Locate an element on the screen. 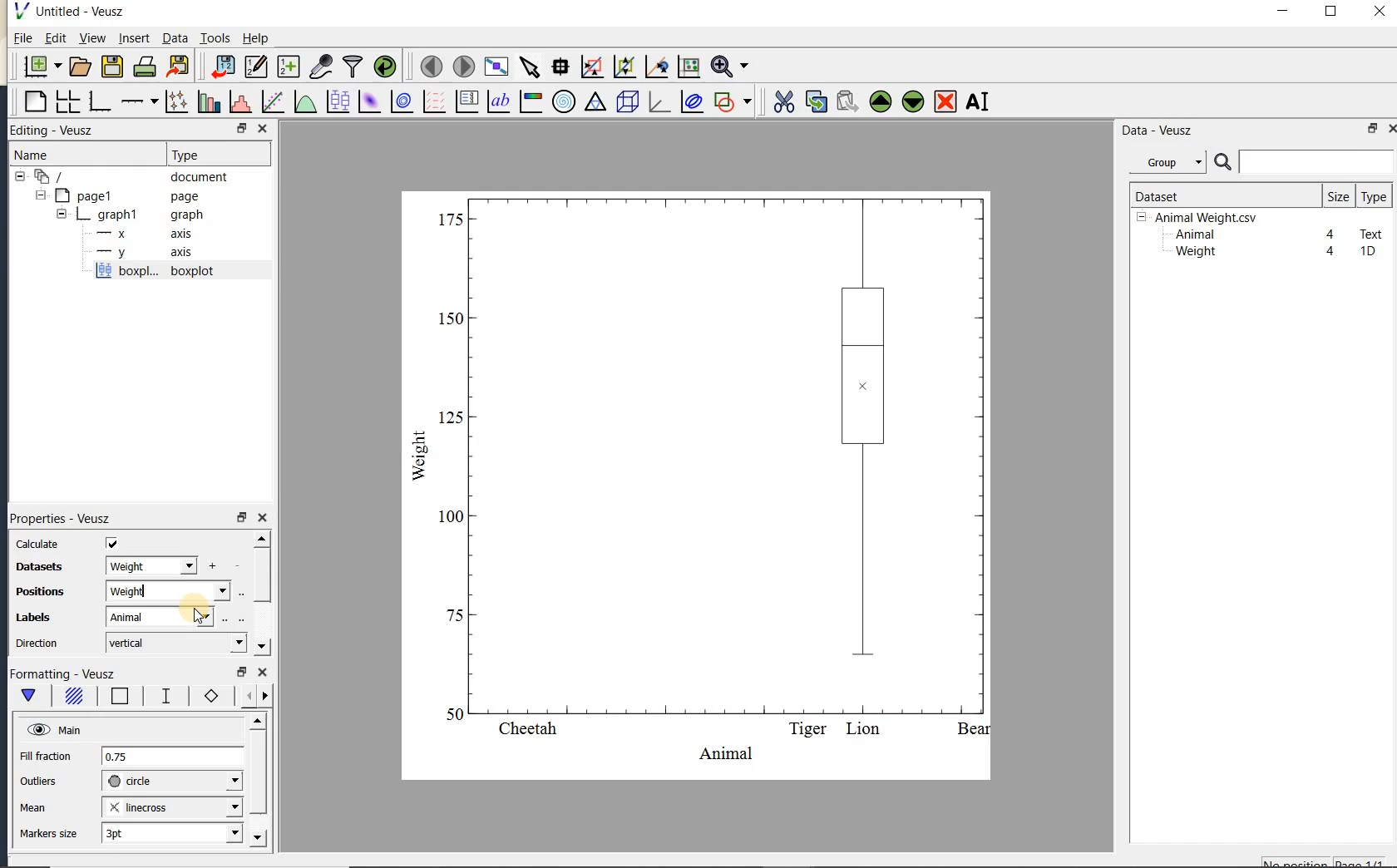 The image size is (1397, 868). zoom function menus is located at coordinates (729, 67).